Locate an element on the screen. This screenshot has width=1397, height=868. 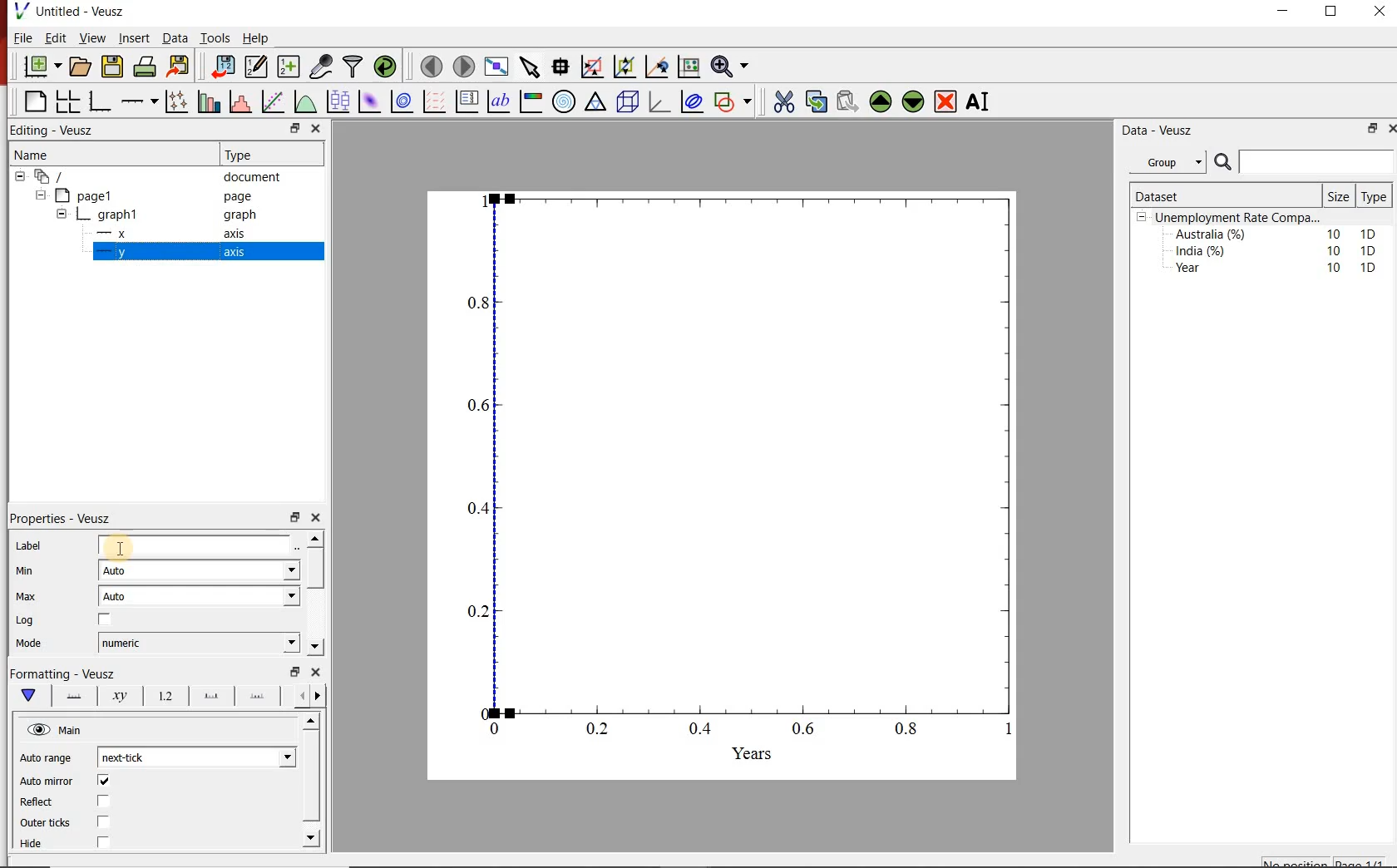
Data is located at coordinates (175, 38).